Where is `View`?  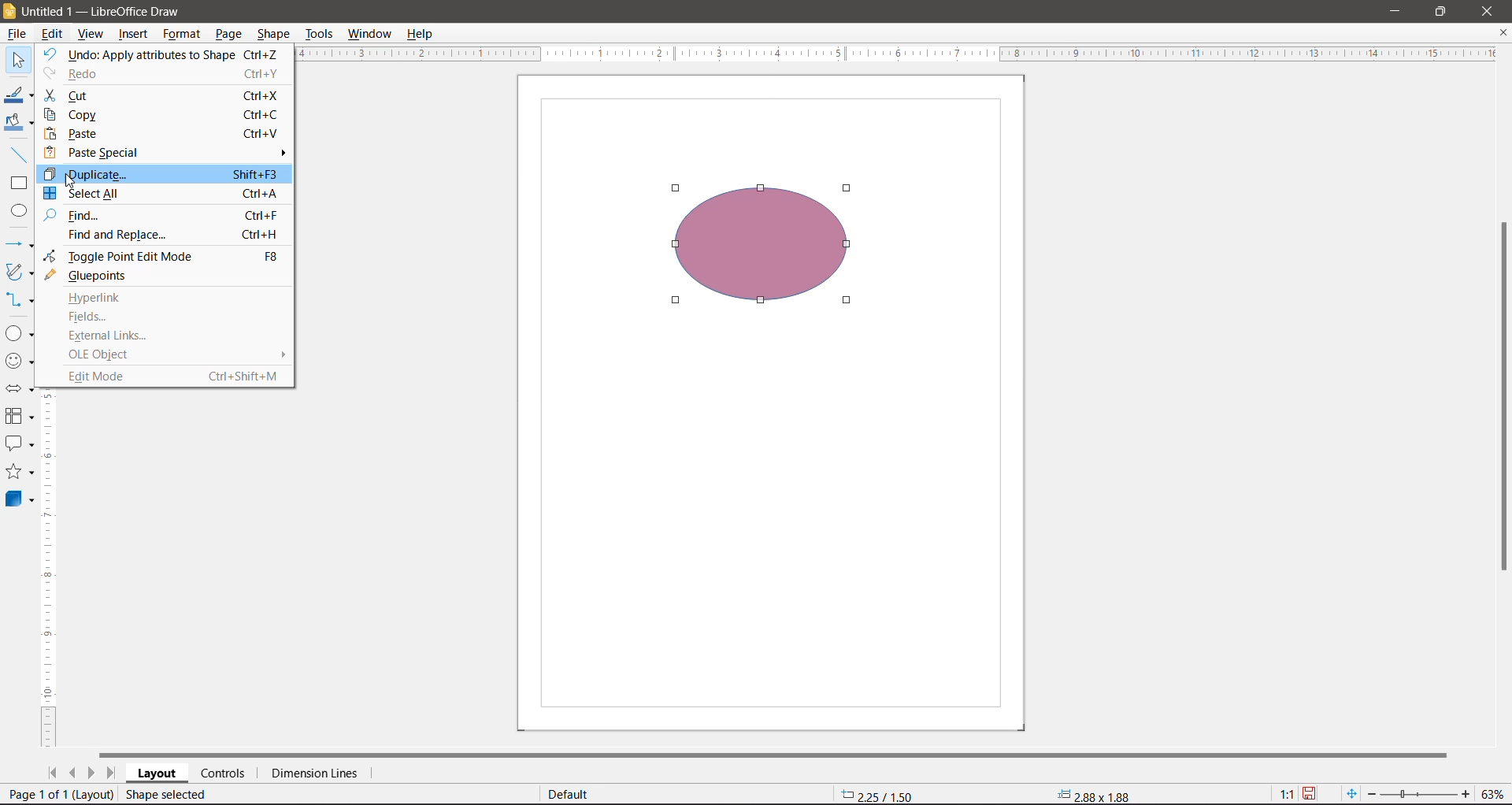 View is located at coordinates (92, 33).